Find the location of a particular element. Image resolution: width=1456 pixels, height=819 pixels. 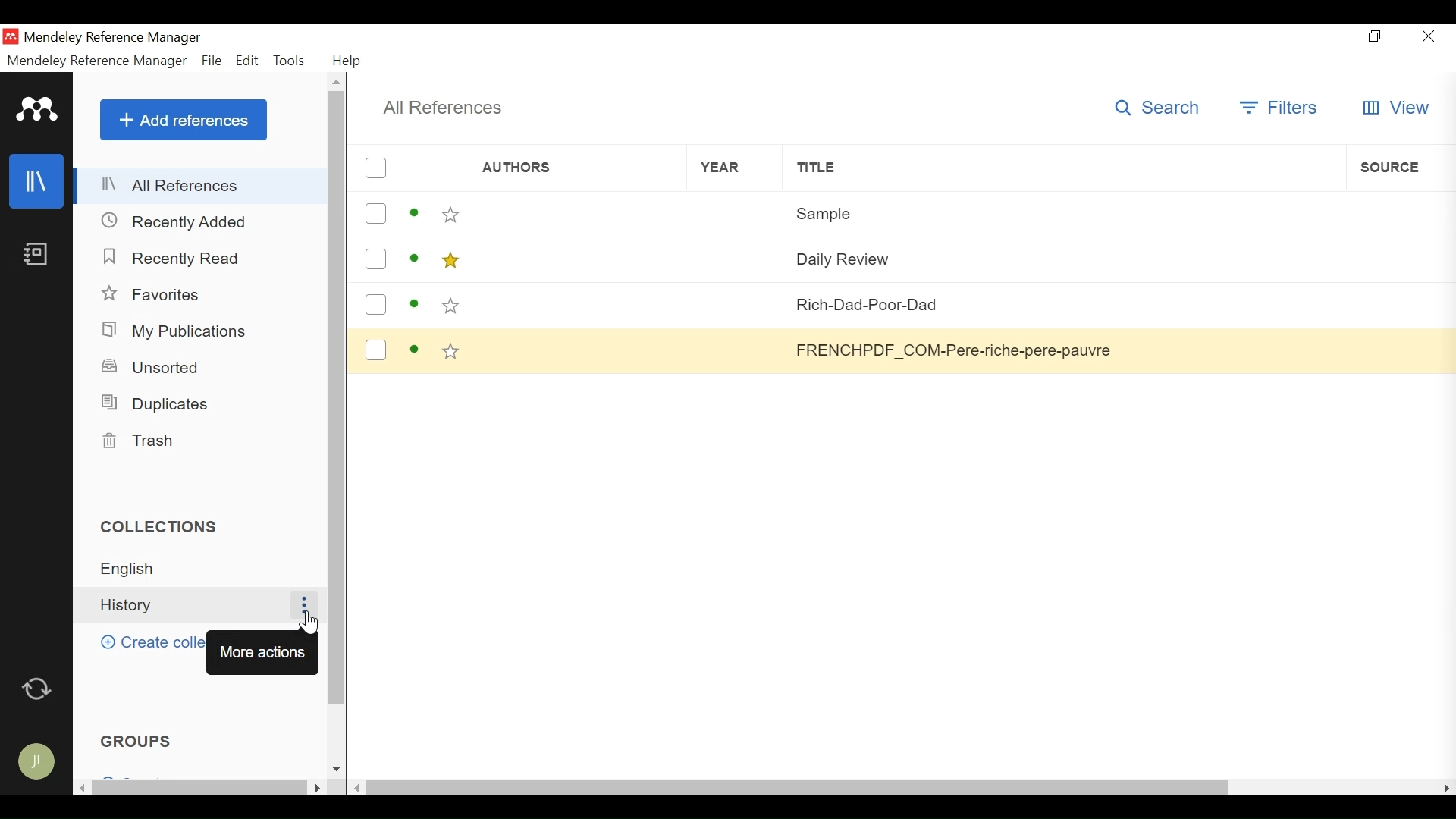

Rich-Dad-Poor-Dad is located at coordinates (1064, 303).